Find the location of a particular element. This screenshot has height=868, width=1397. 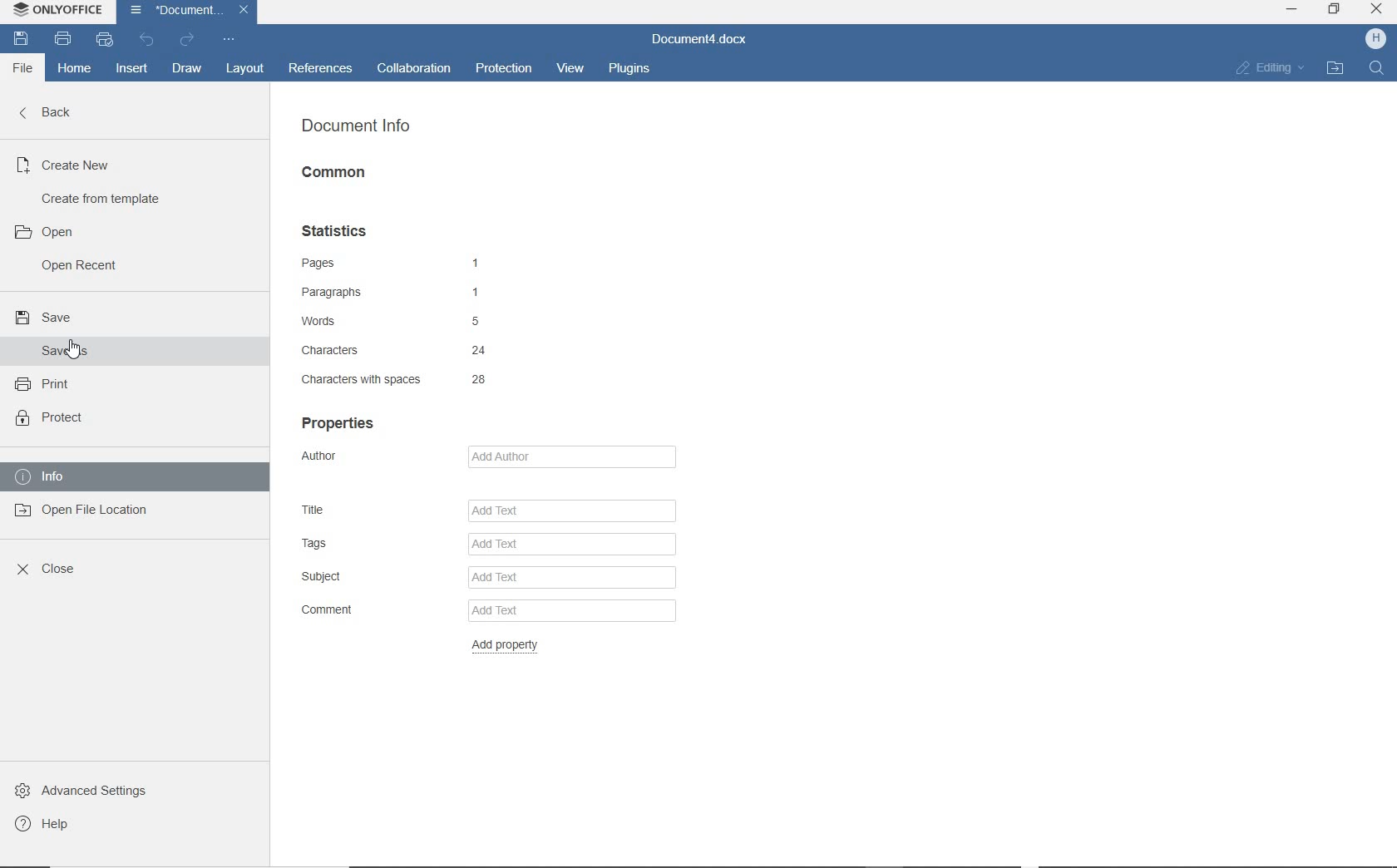

references is located at coordinates (321, 67).